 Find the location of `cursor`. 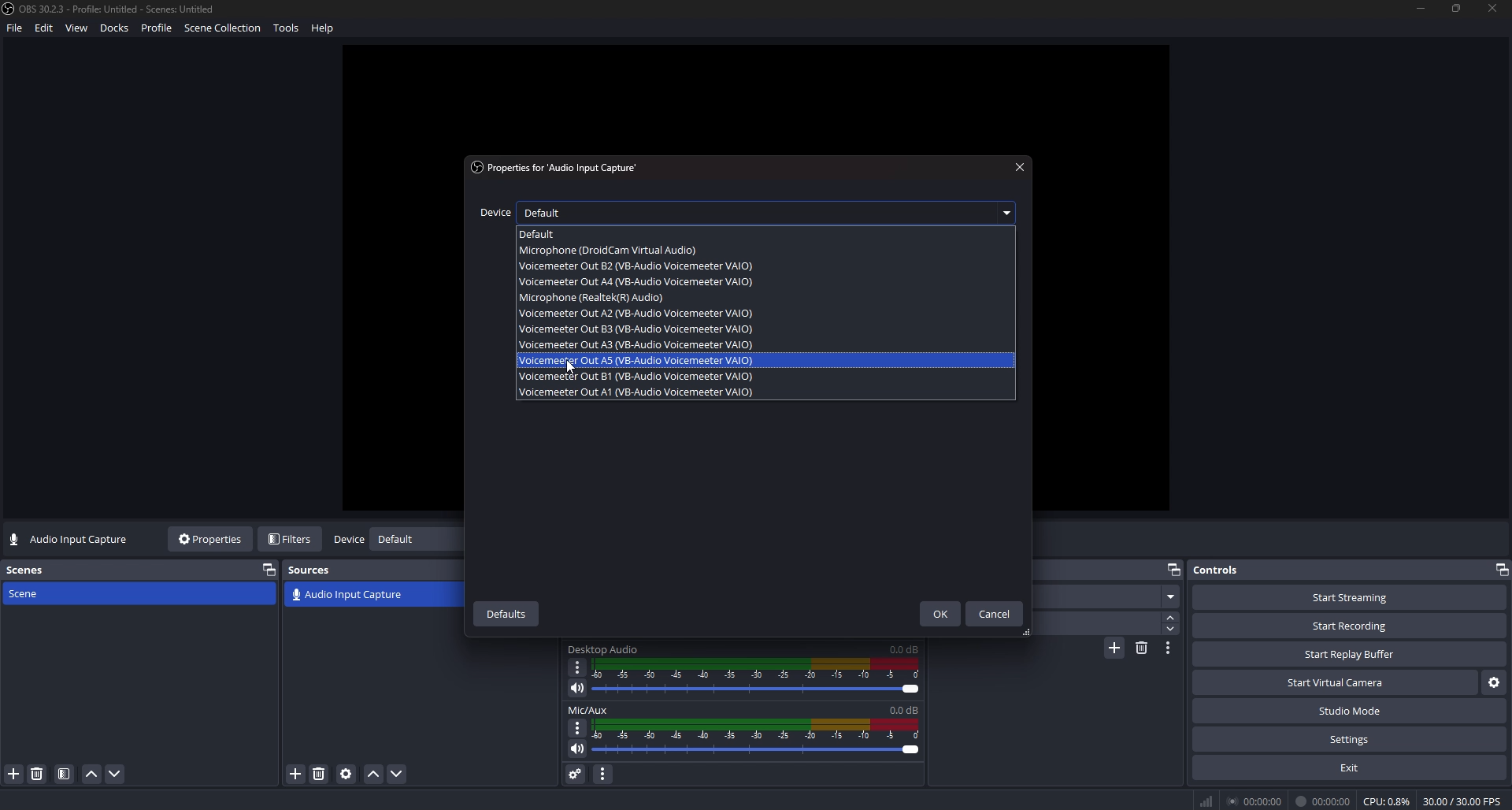

cursor is located at coordinates (570, 369).